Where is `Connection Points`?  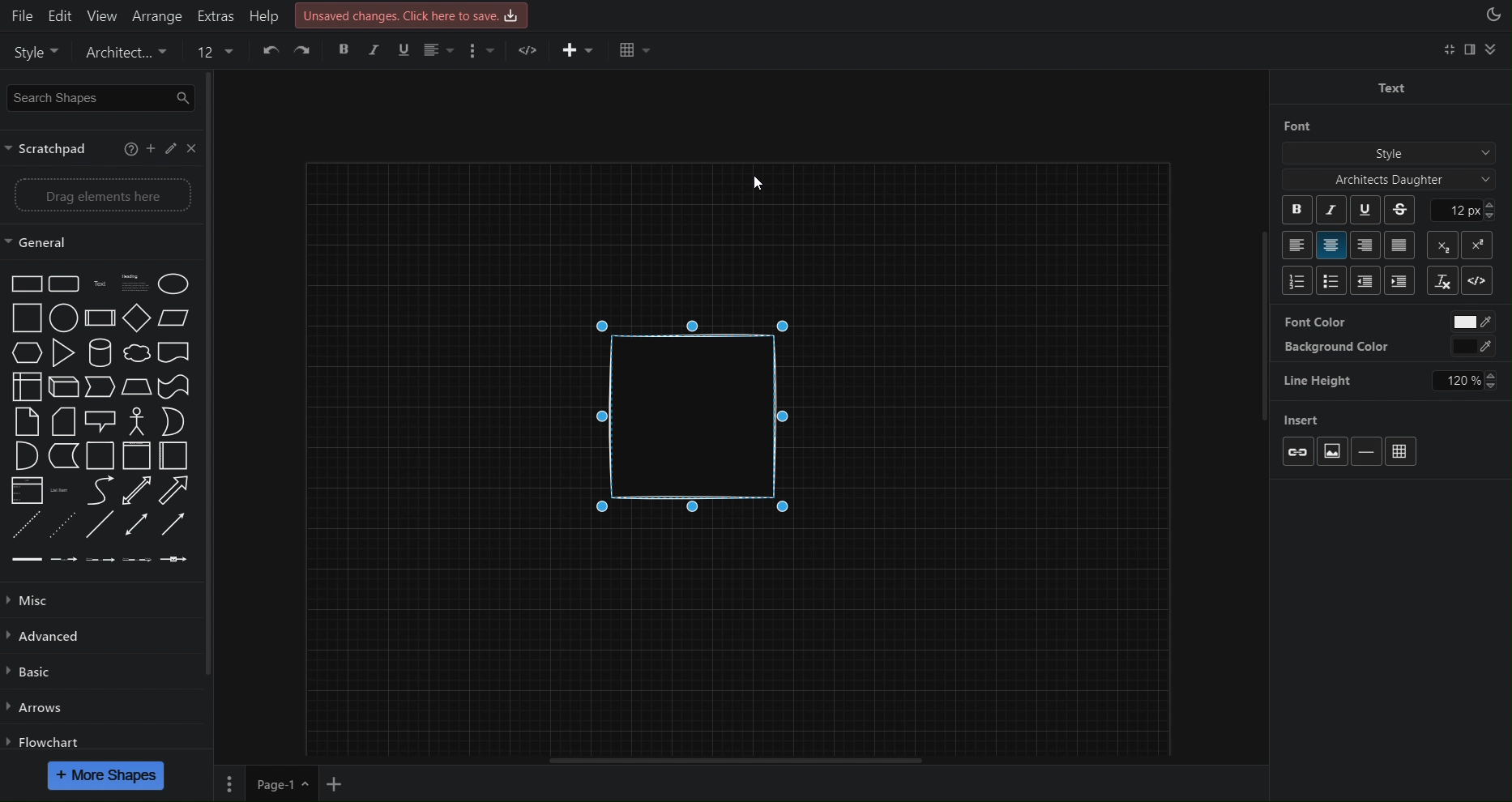
Connection Points is located at coordinates (1347, 345).